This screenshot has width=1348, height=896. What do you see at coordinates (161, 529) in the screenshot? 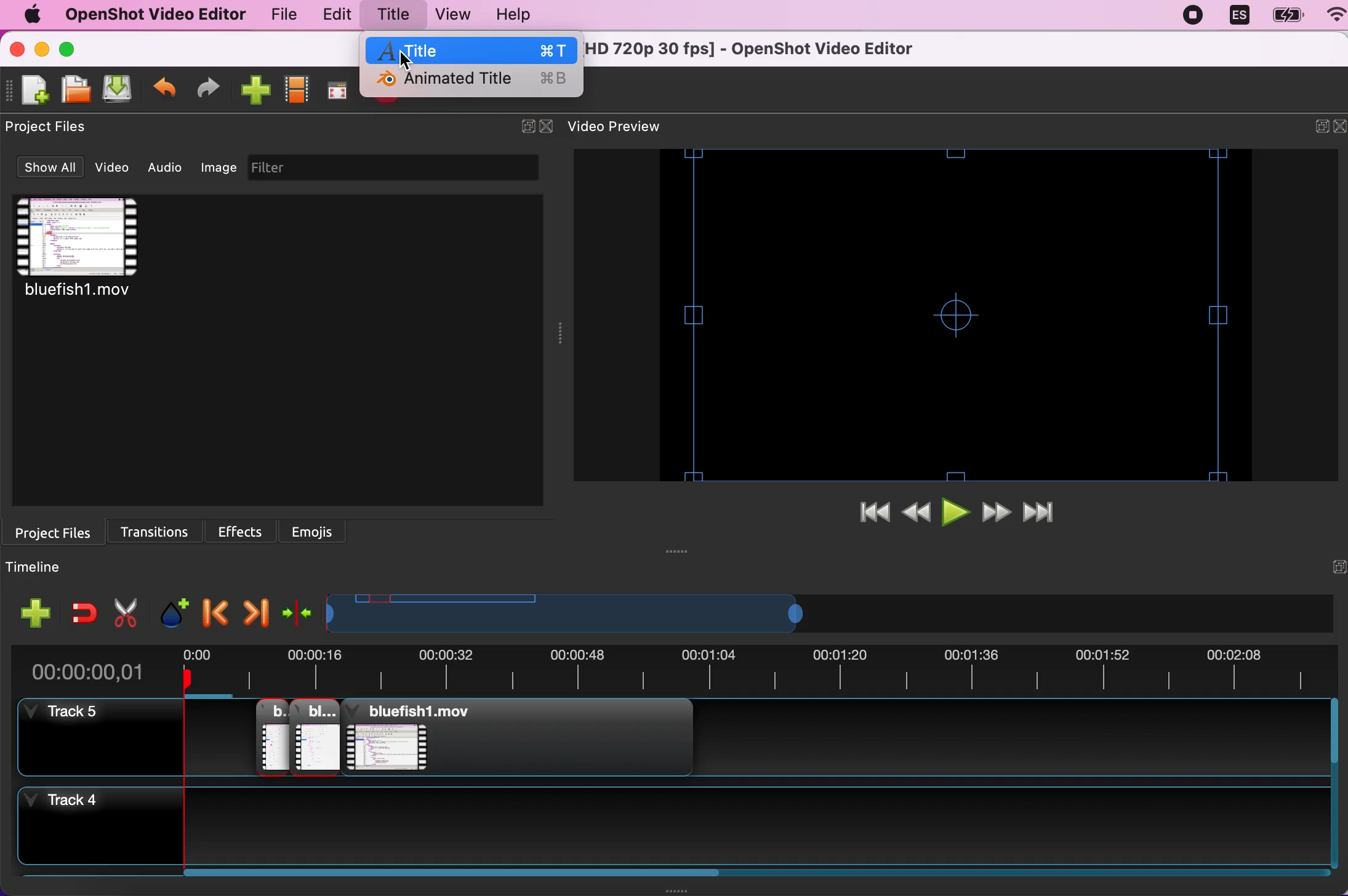
I see `transitions` at bounding box center [161, 529].